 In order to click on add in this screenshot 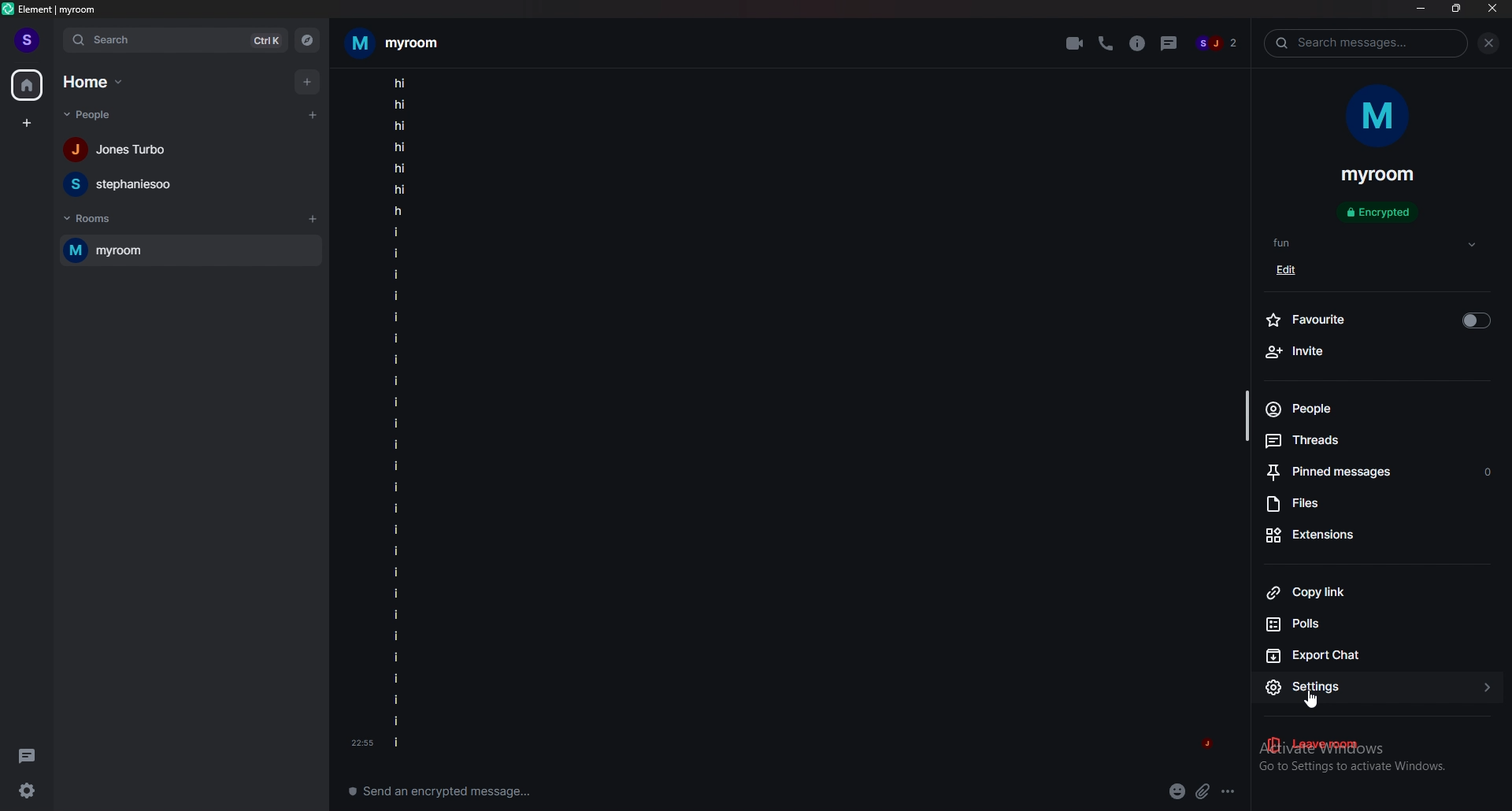, I will do `click(306, 81)`.